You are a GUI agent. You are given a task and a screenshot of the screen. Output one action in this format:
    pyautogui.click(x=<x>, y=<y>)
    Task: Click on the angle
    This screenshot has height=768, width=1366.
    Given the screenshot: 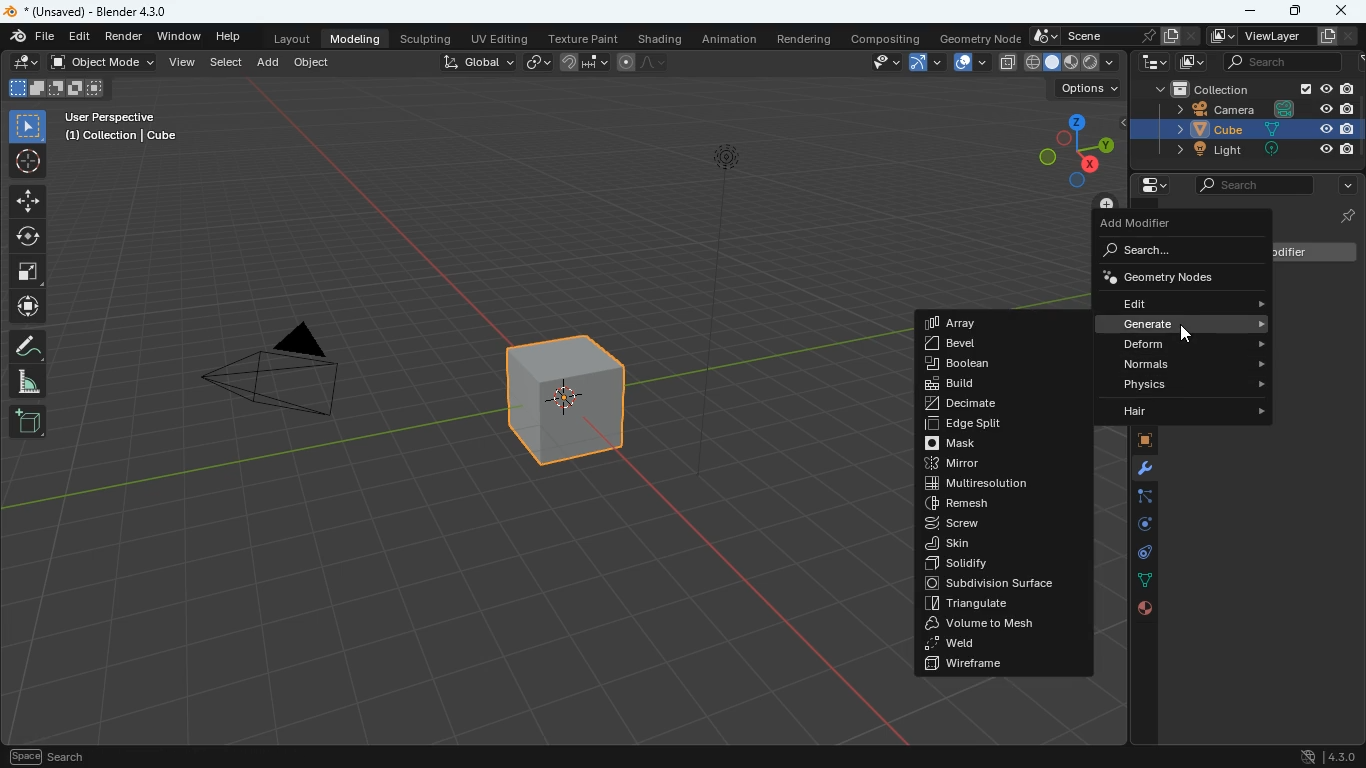 What is the action you would take?
    pyautogui.click(x=29, y=382)
    